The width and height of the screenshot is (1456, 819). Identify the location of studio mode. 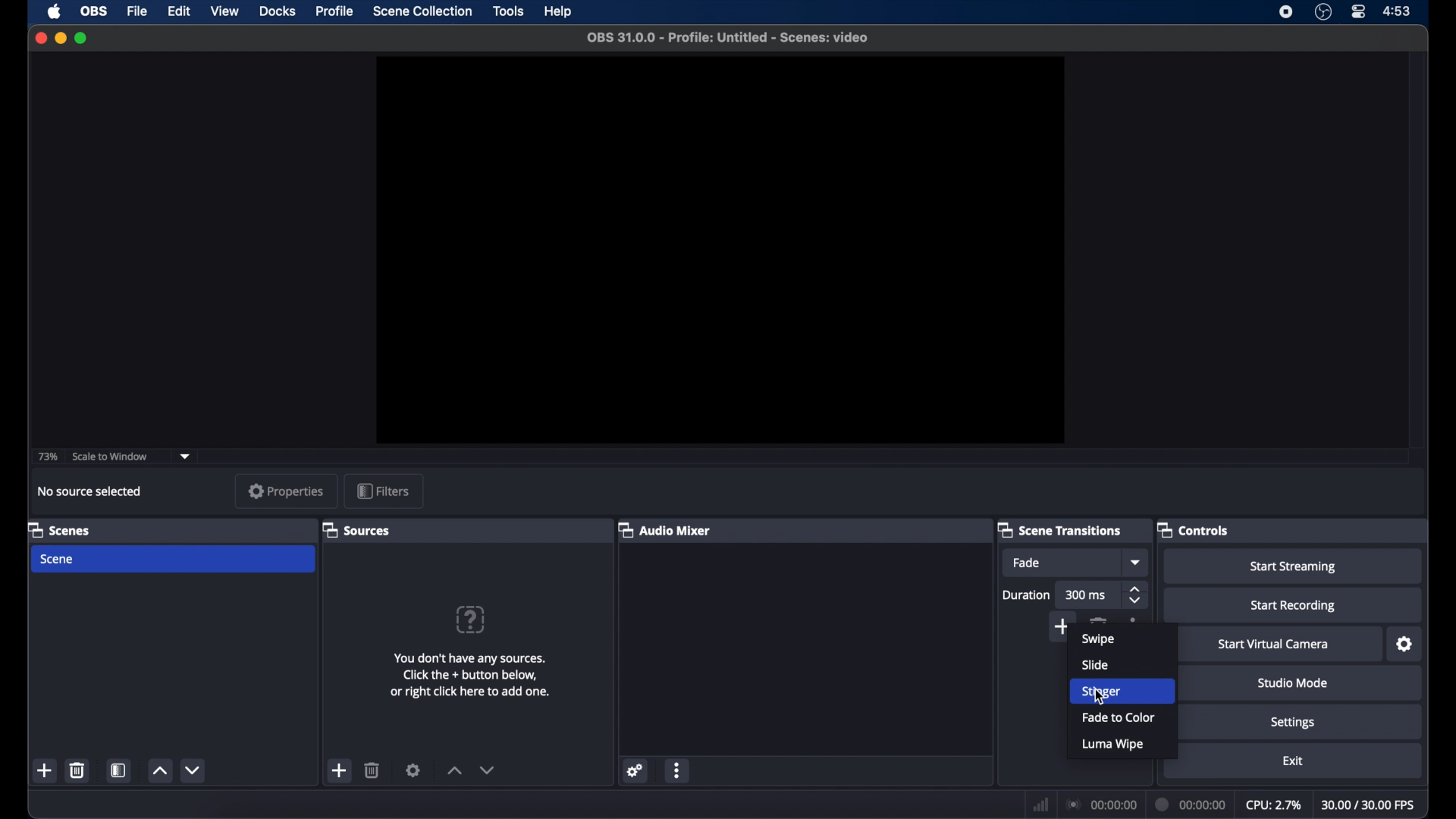
(1292, 682).